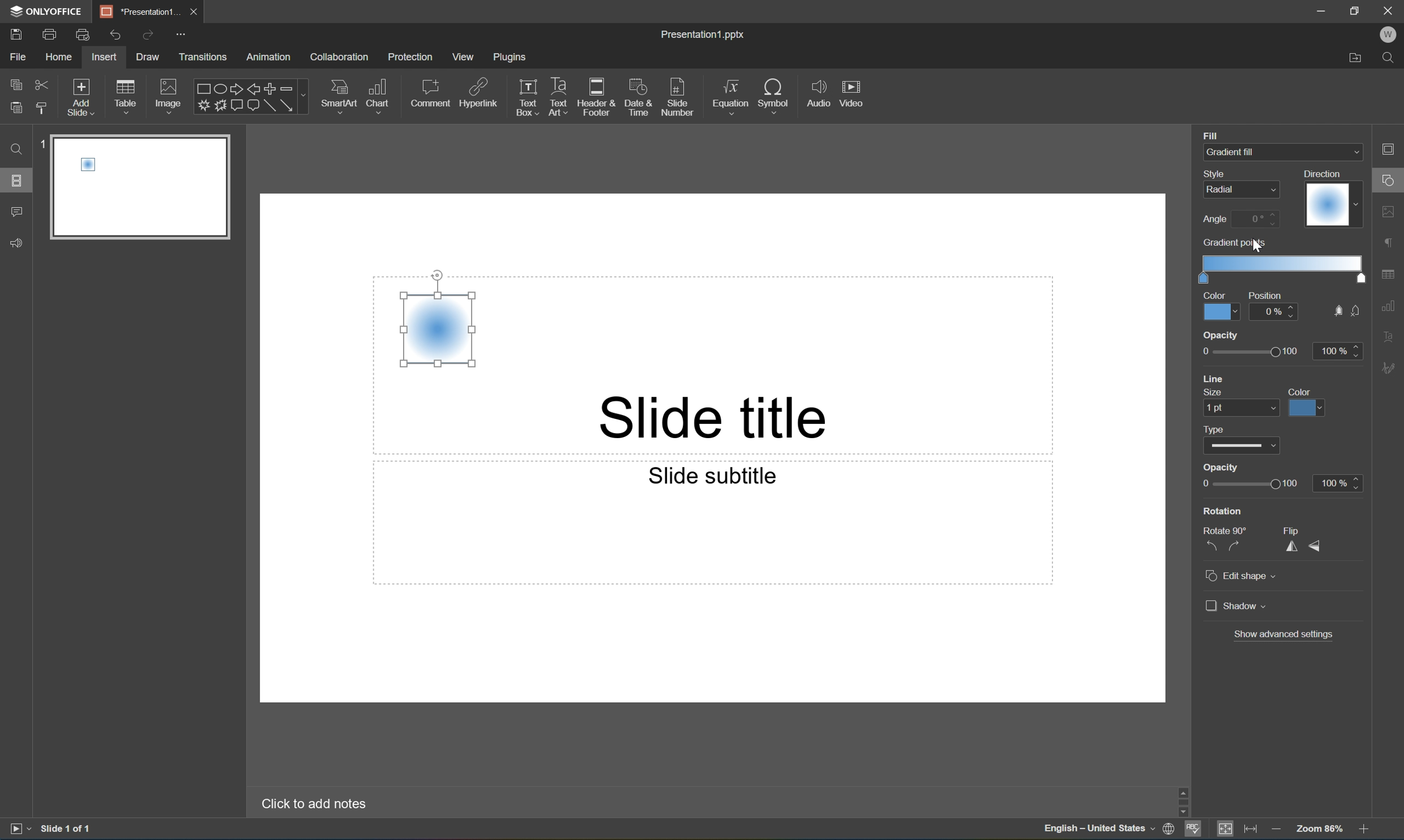 Image resolution: width=1404 pixels, height=840 pixels. I want to click on Insert, so click(104, 57).